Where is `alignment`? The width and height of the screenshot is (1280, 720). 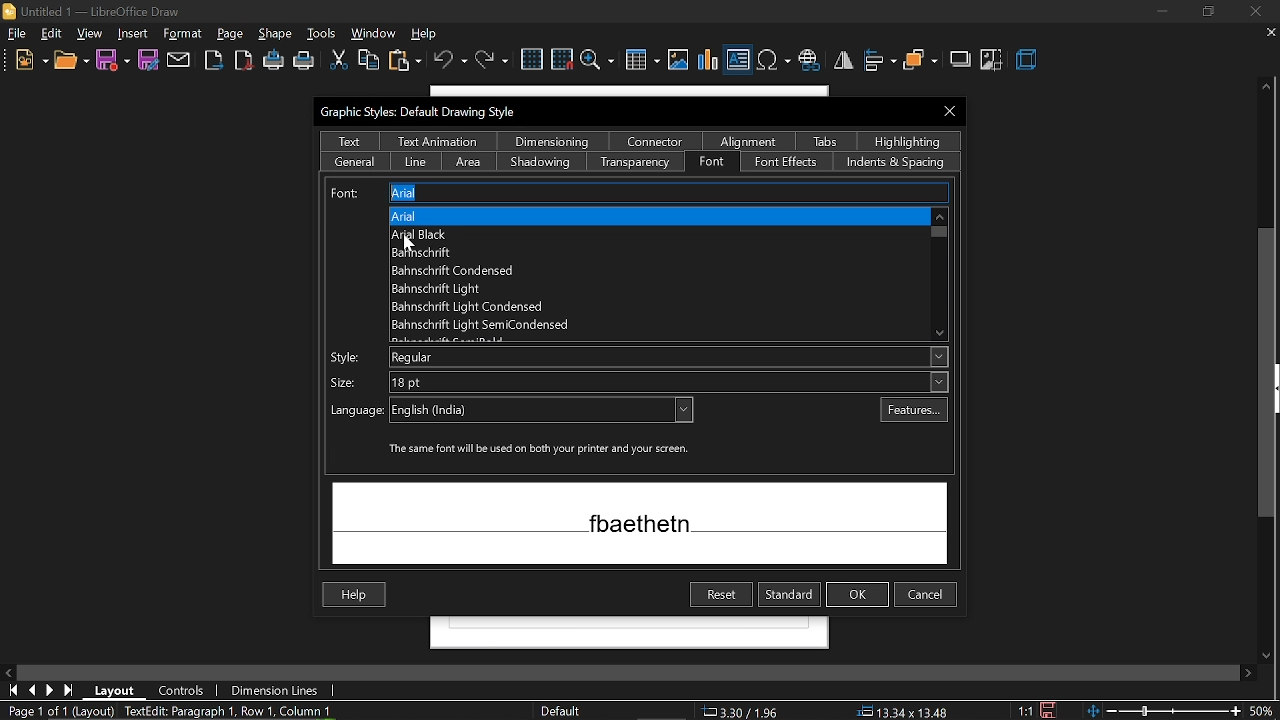
alignment is located at coordinates (749, 141).